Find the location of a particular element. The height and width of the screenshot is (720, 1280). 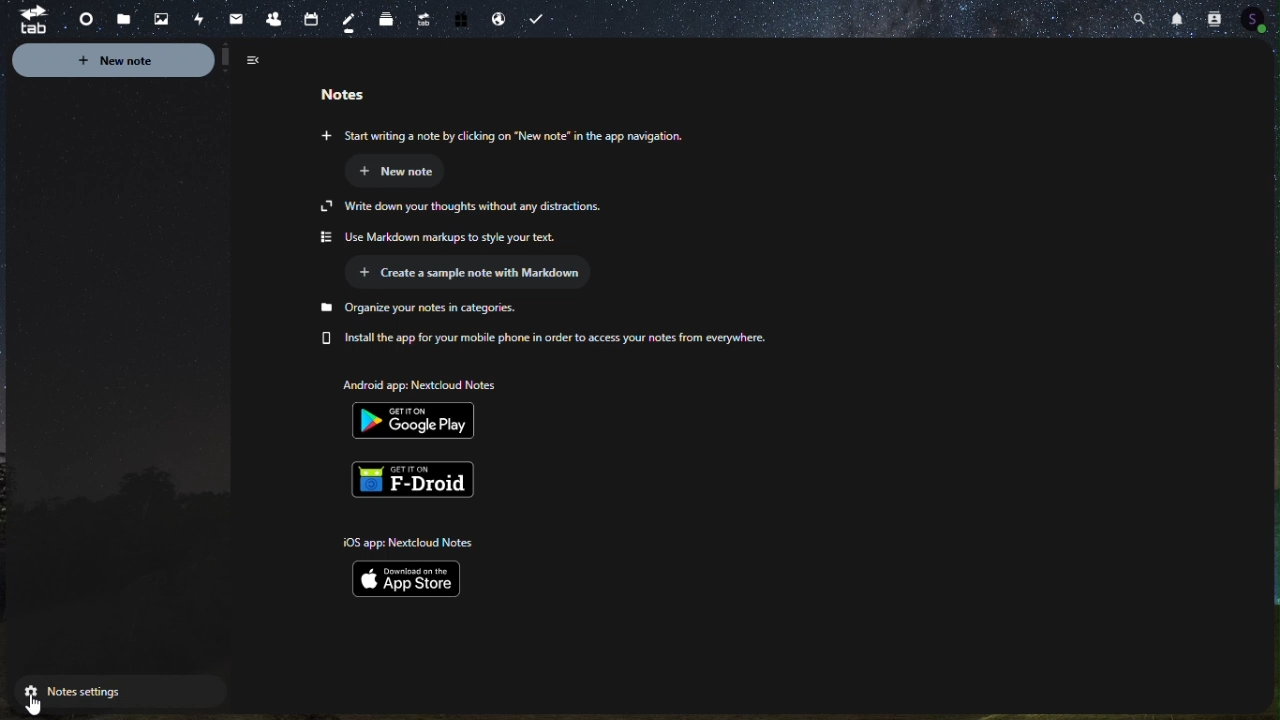

F-droid is located at coordinates (415, 480).